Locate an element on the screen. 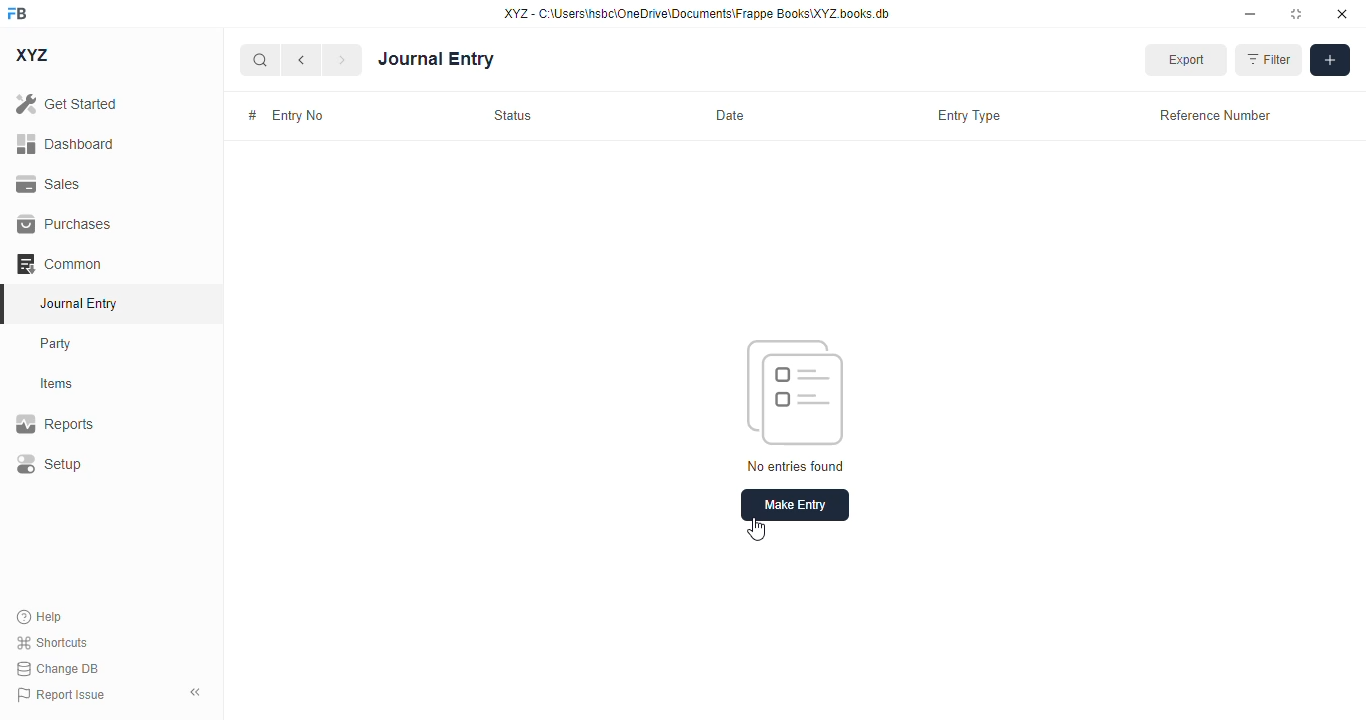  reports is located at coordinates (55, 423).